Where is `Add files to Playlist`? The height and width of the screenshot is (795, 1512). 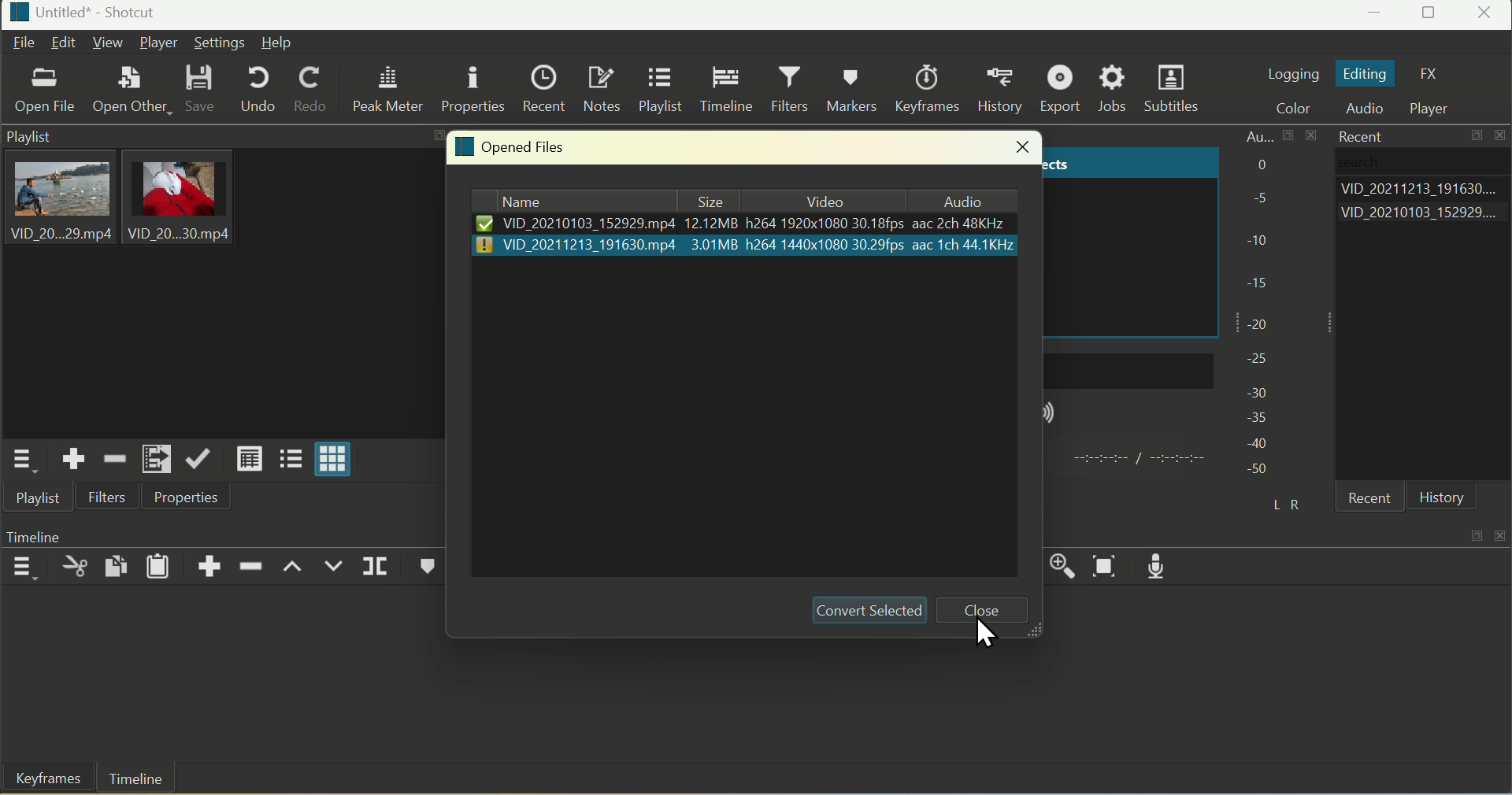 Add files to Playlist is located at coordinates (155, 458).